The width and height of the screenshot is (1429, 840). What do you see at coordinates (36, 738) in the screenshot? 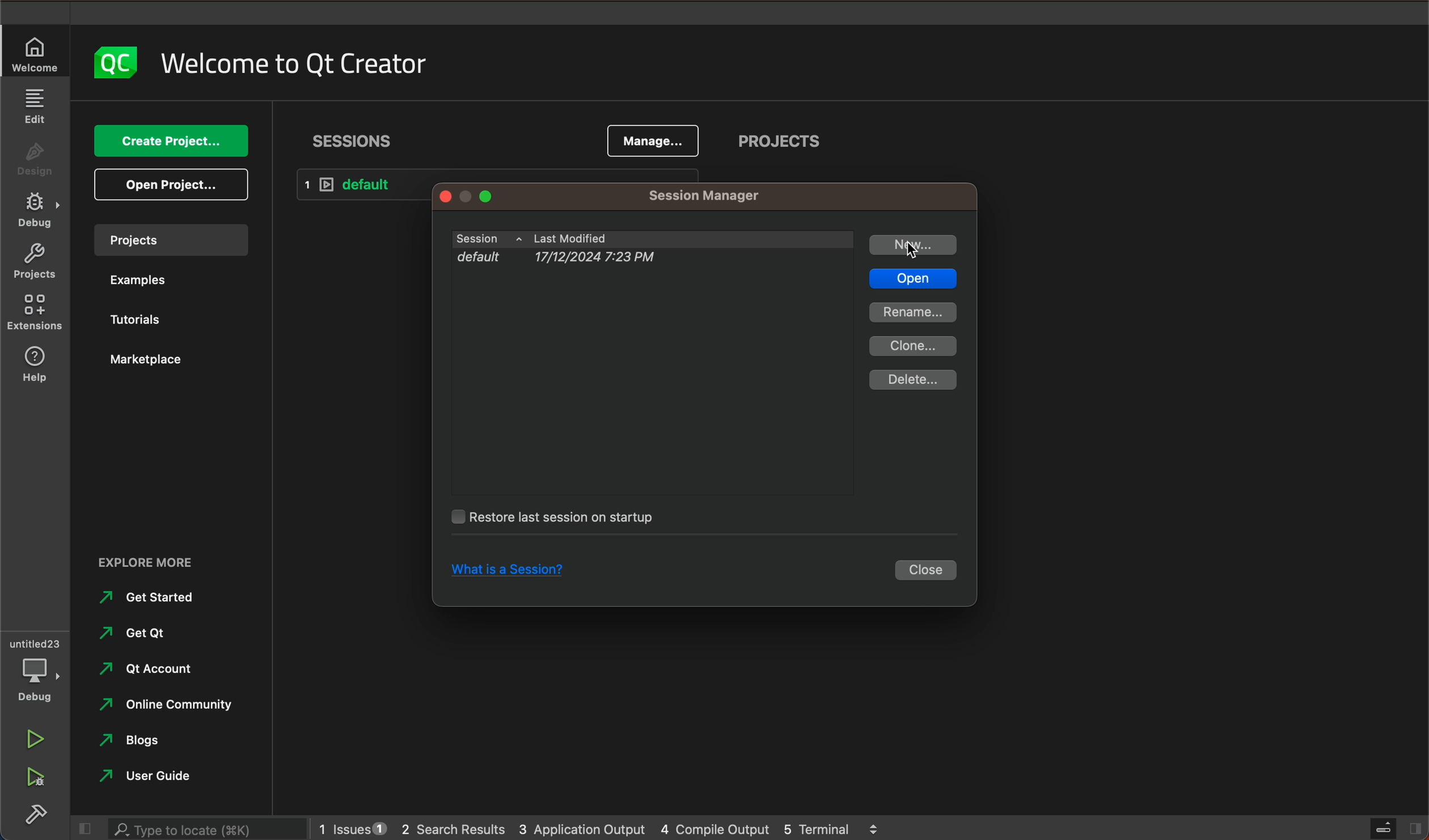
I see `run` at bounding box center [36, 738].